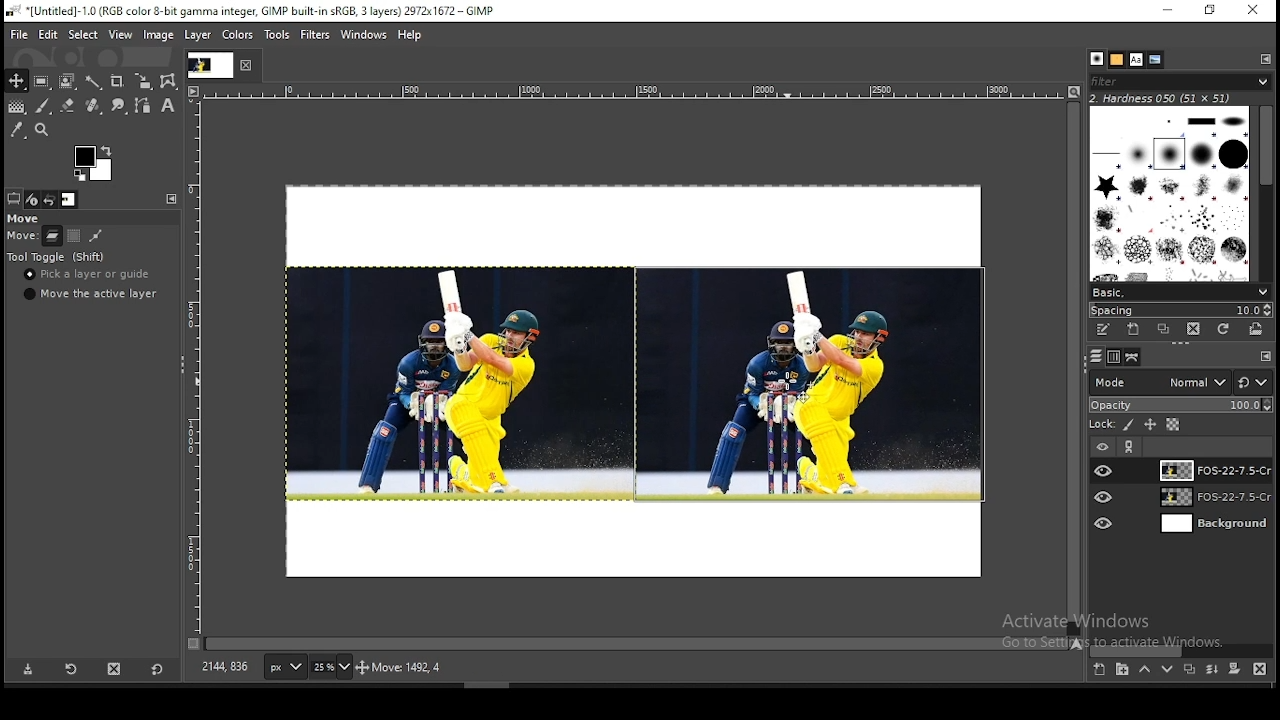 The height and width of the screenshot is (720, 1280). Describe the element at coordinates (1122, 671) in the screenshot. I see `new layer group` at that location.